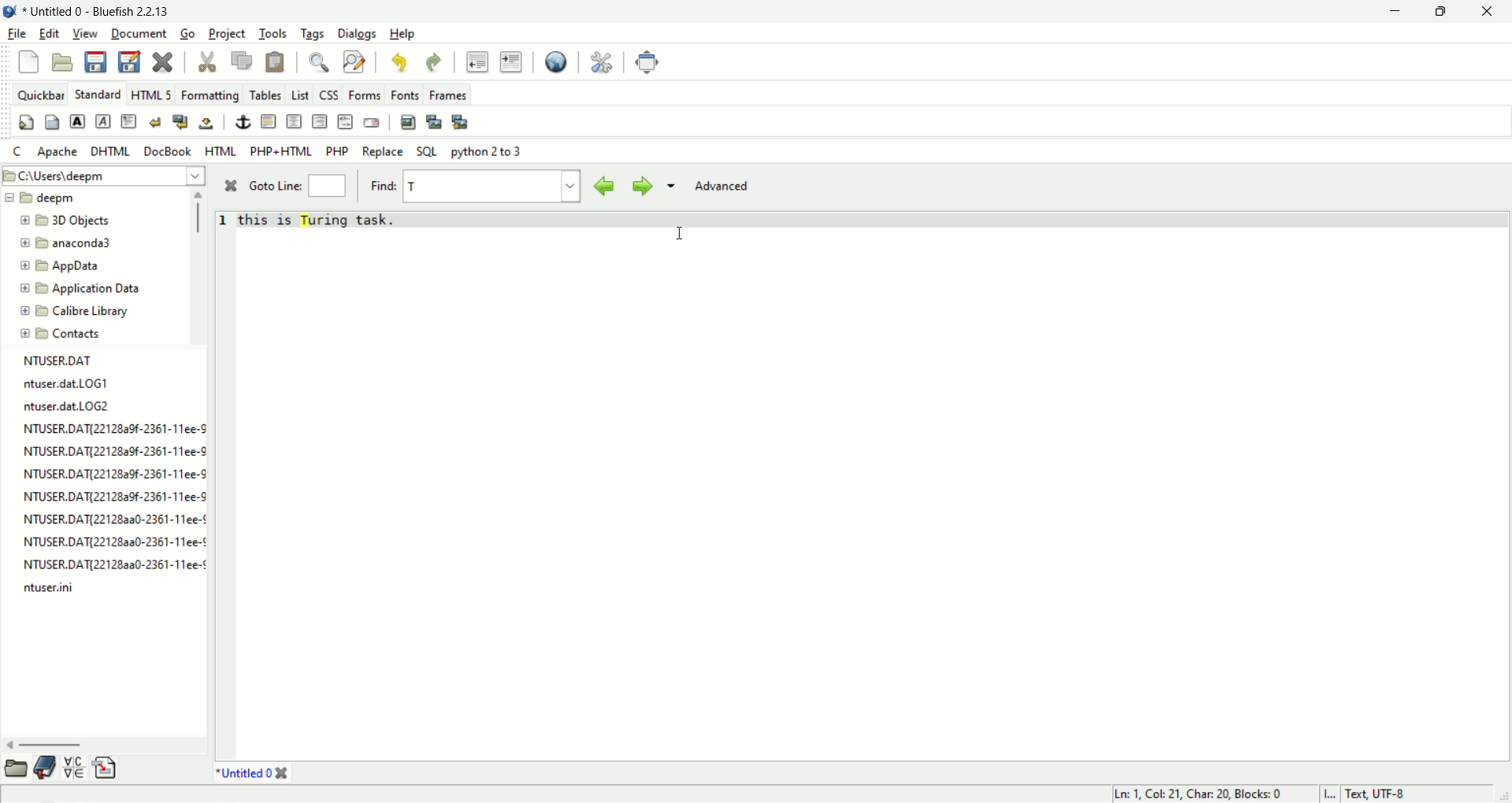 The image size is (1512, 803). I want to click on insert thumbnail, so click(435, 121).